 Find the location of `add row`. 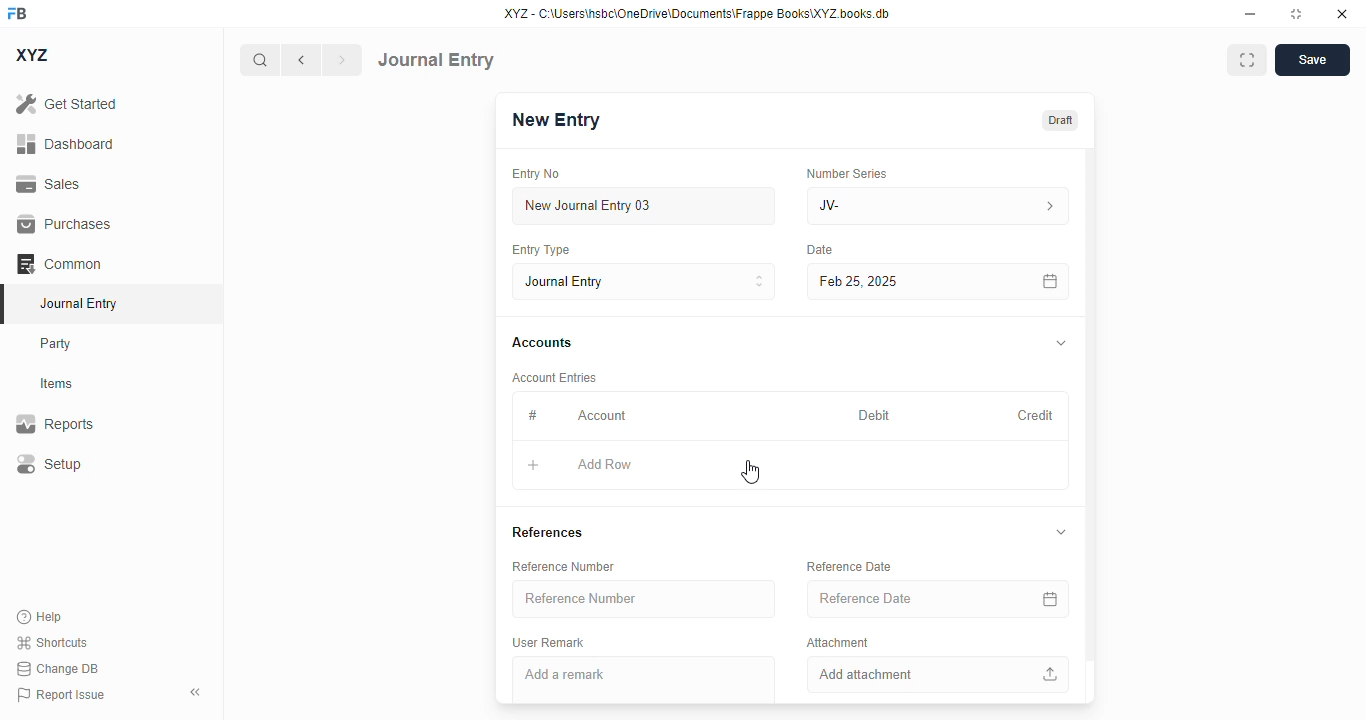

add row is located at coordinates (604, 464).